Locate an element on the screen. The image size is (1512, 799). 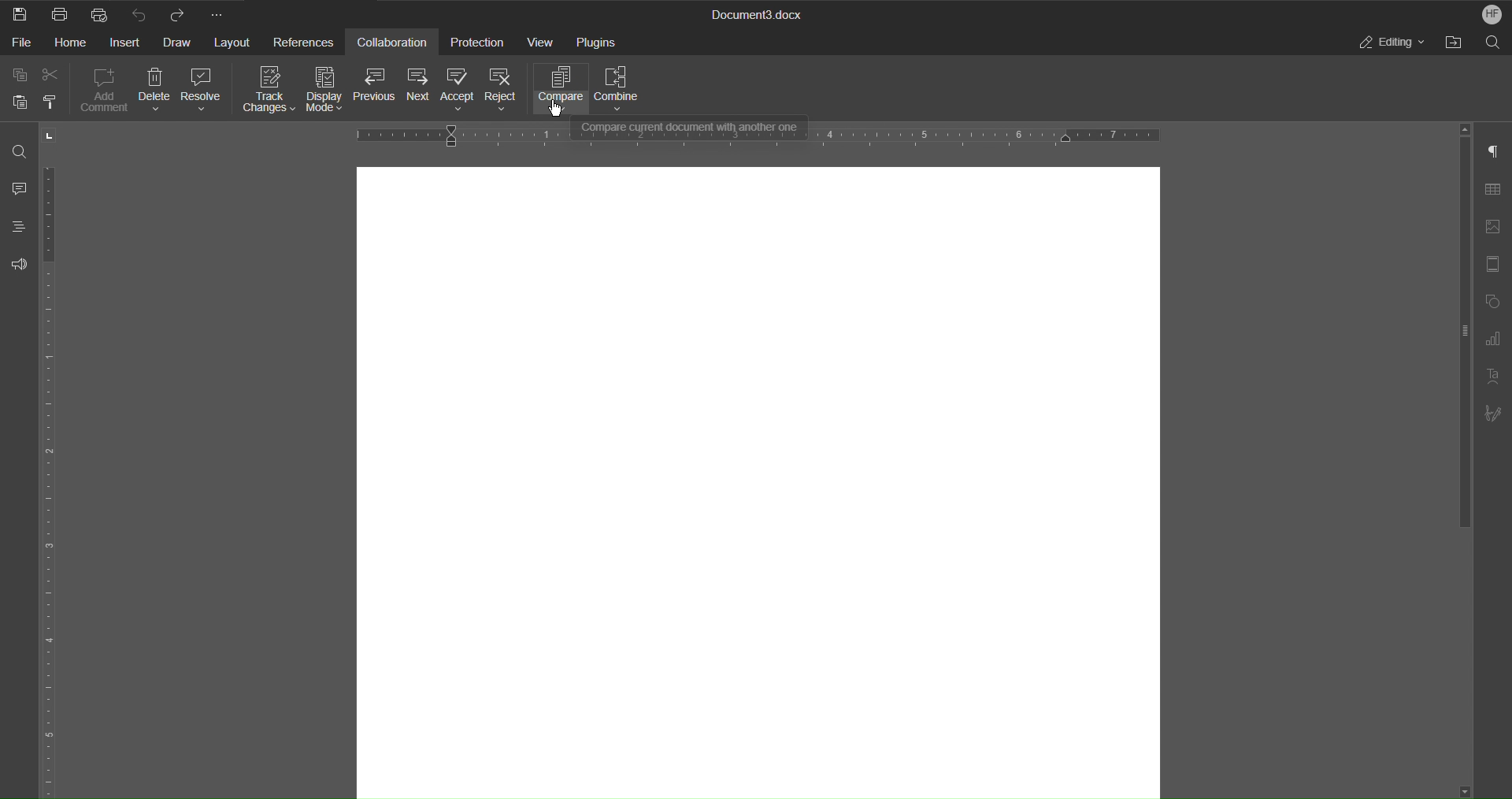
Document3.docx is located at coordinates (759, 13).